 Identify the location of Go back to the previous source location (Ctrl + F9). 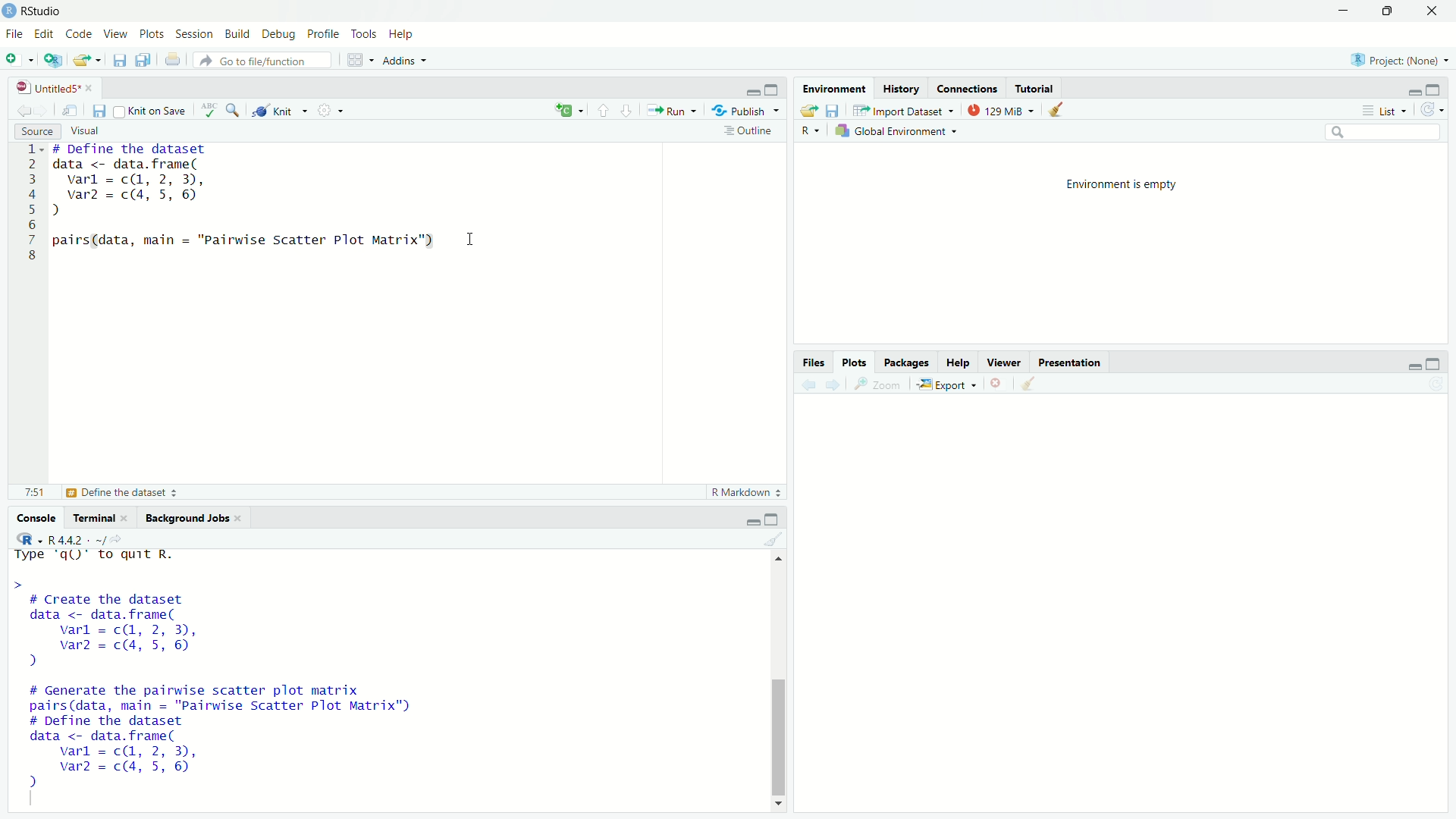
(24, 108).